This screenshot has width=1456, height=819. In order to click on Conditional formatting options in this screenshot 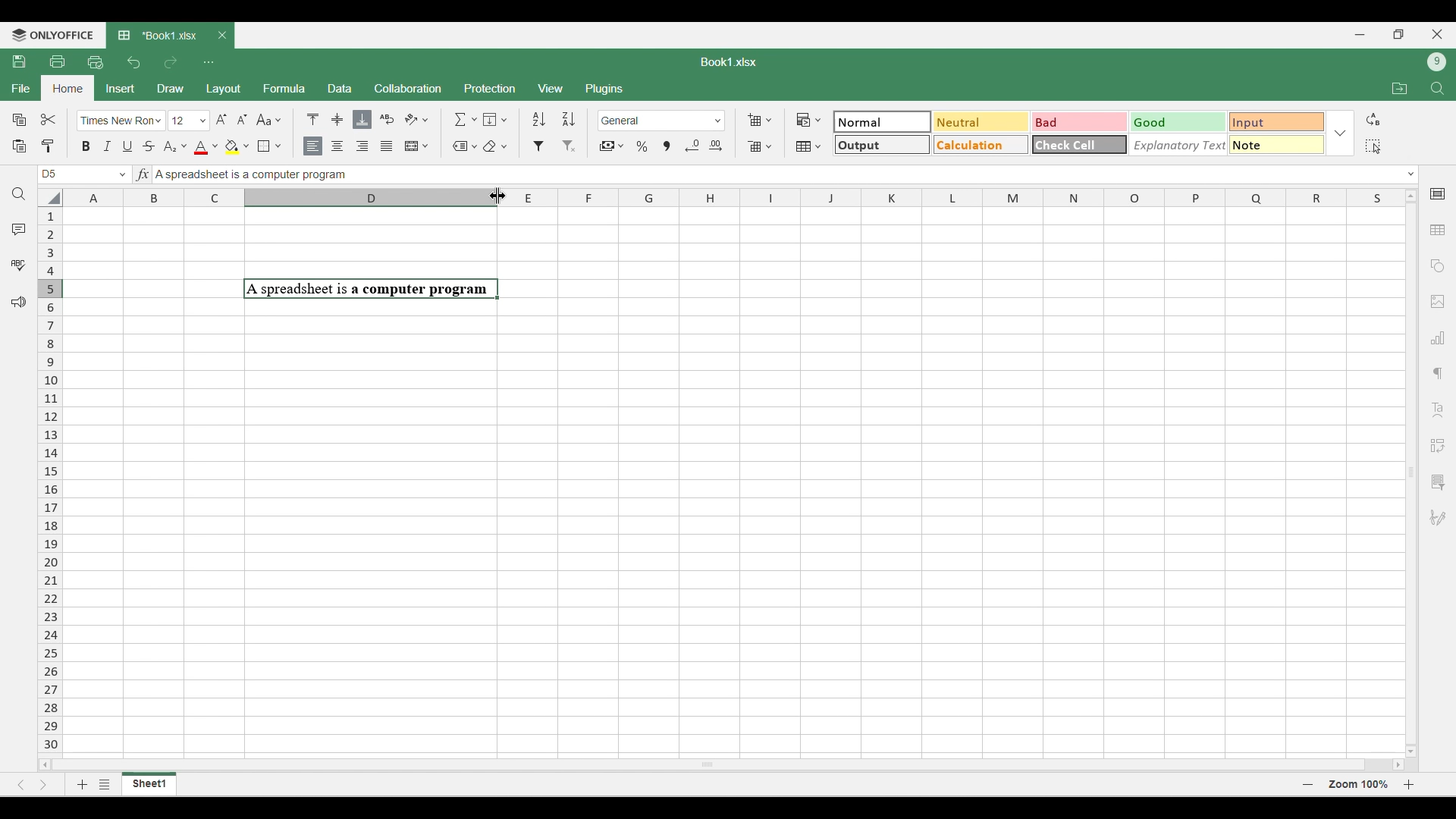, I will do `click(809, 120)`.